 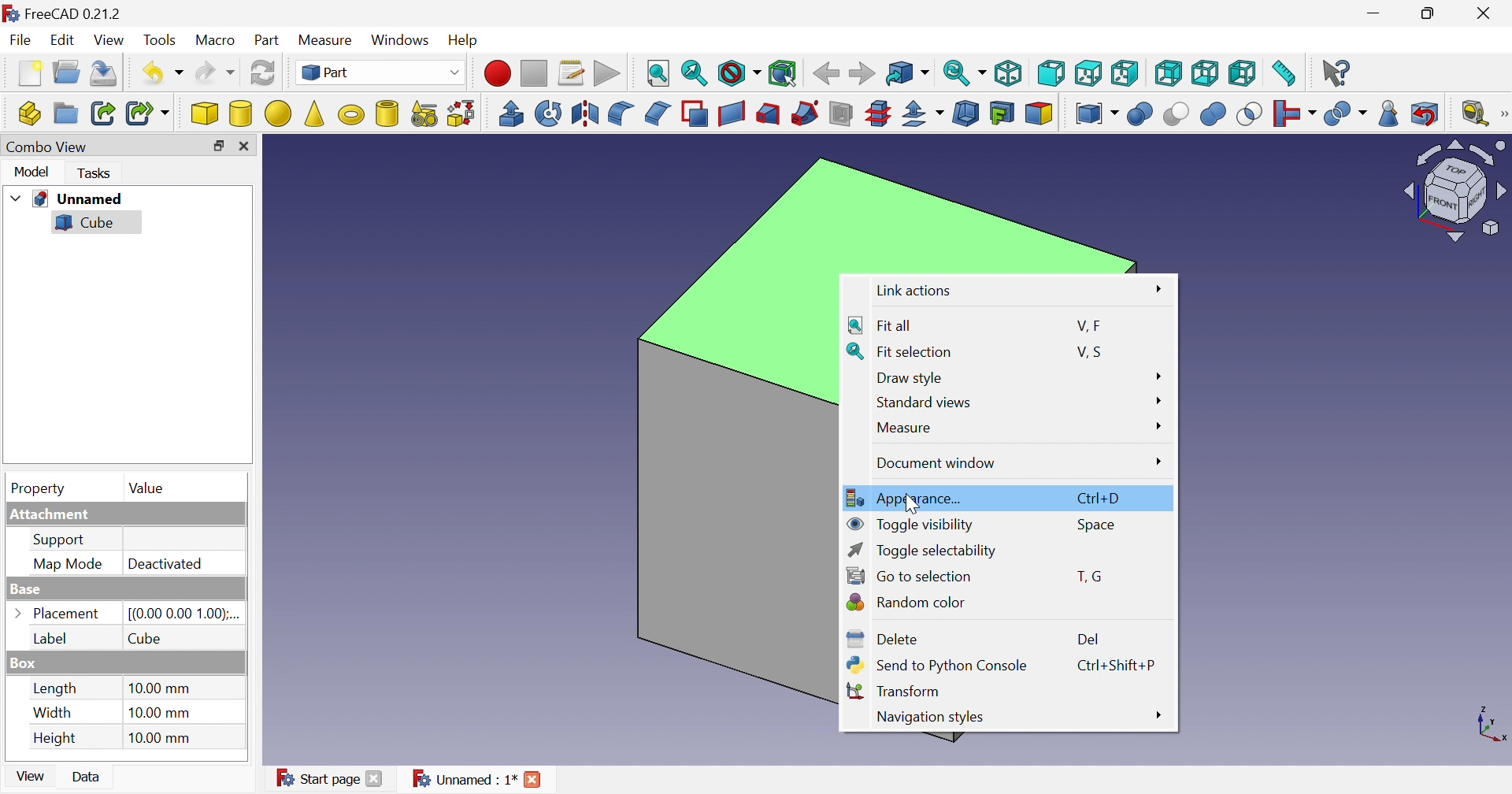 What do you see at coordinates (1158, 426) in the screenshot?
I see `More` at bounding box center [1158, 426].